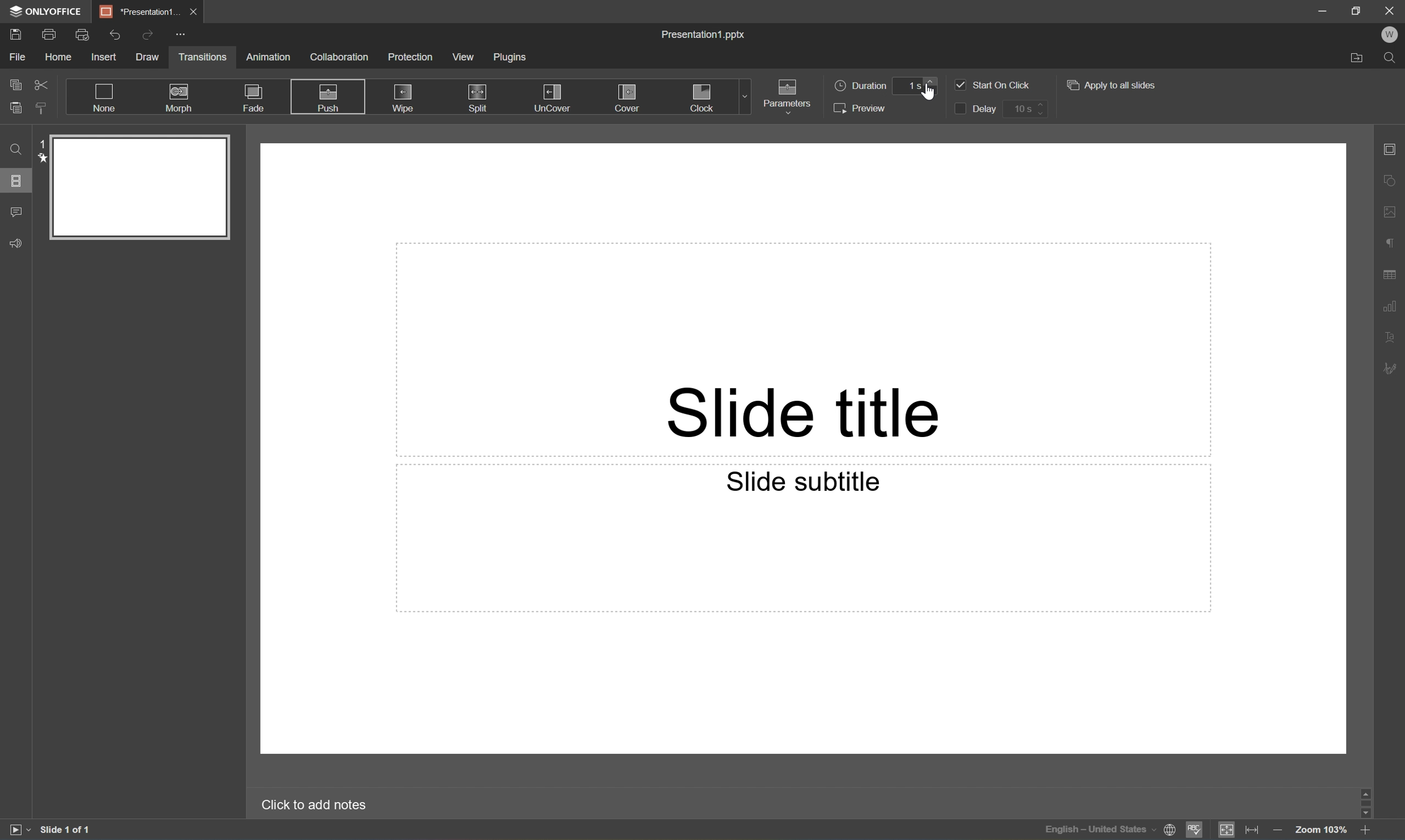 The width and height of the screenshot is (1405, 840). Describe the element at coordinates (1392, 58) in the screenshot. I see `Find` at that location.